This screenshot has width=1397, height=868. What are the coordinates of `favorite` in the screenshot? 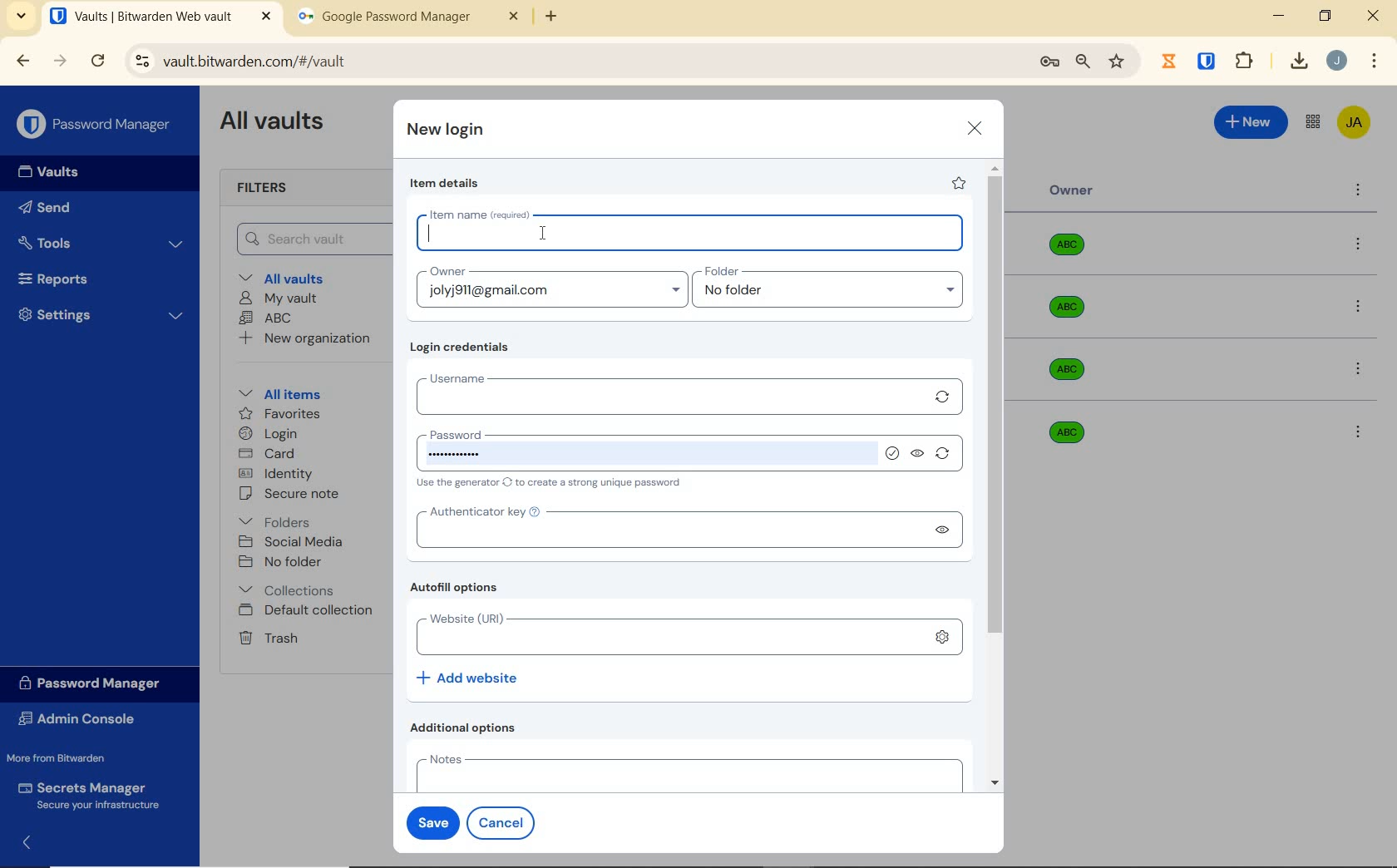 It's located at (957, 183).